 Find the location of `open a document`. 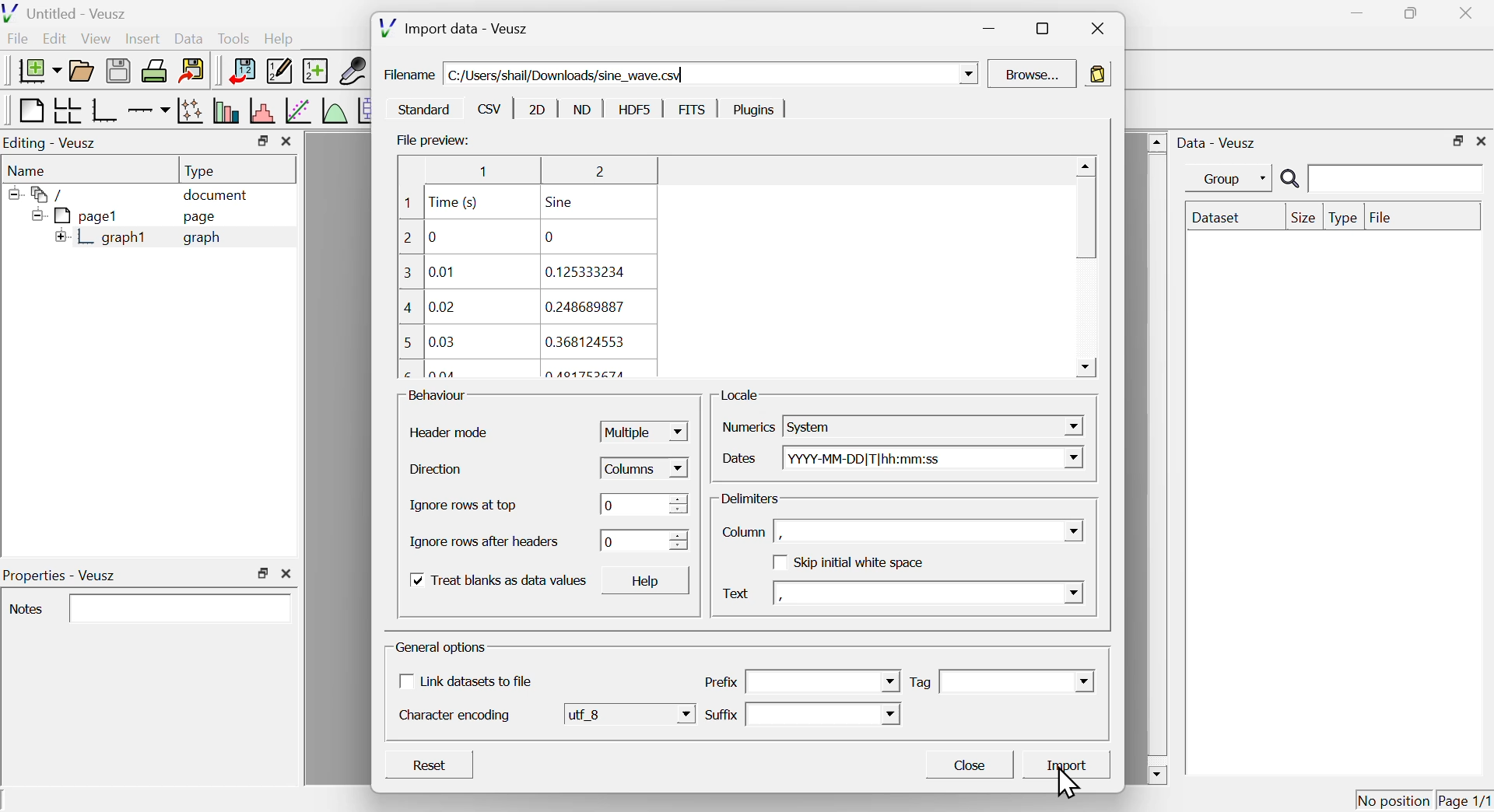

open a document is located at coordinates (83, 69).